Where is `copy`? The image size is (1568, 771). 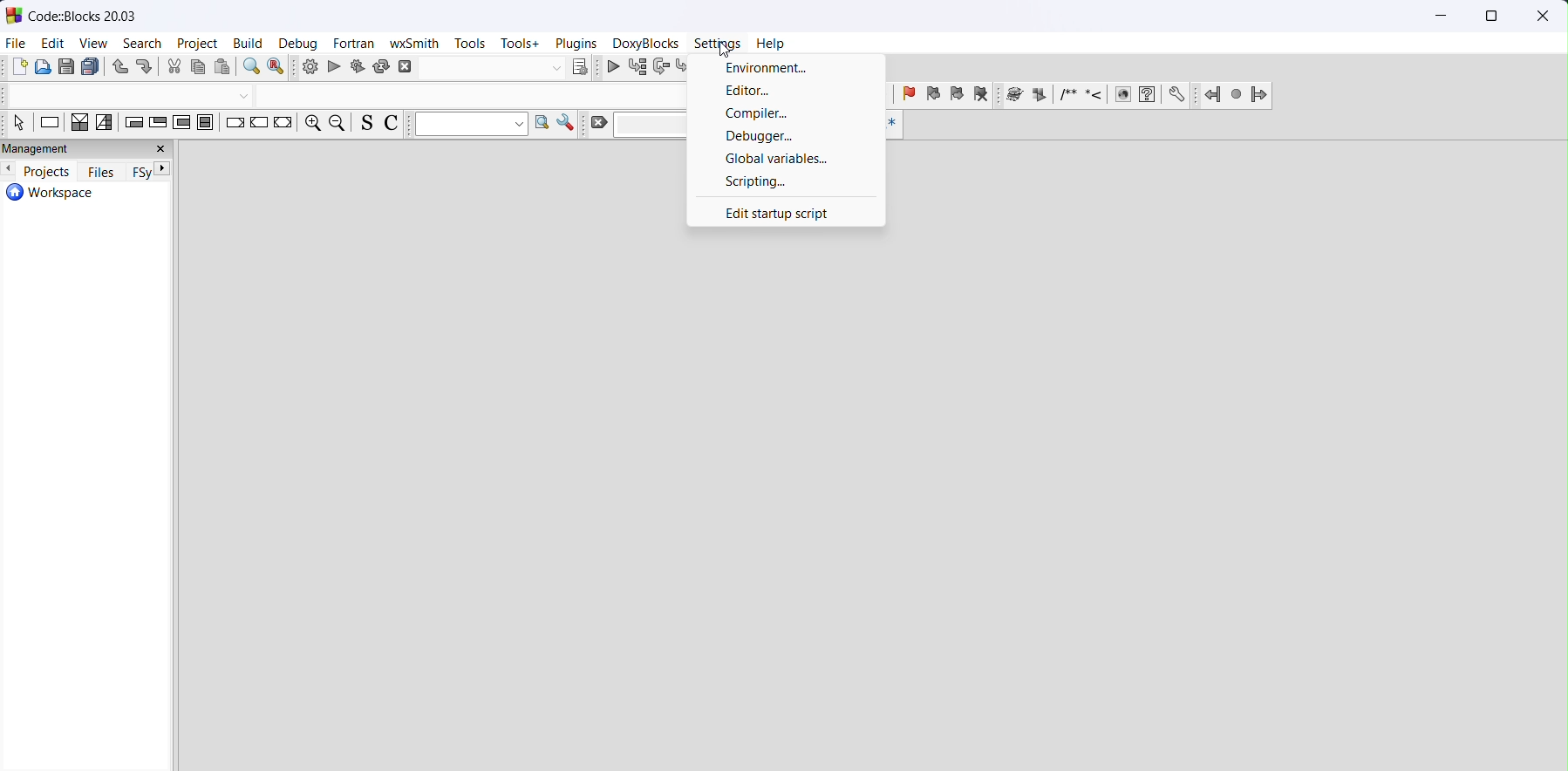 copy is located at coordinates (200, 68).